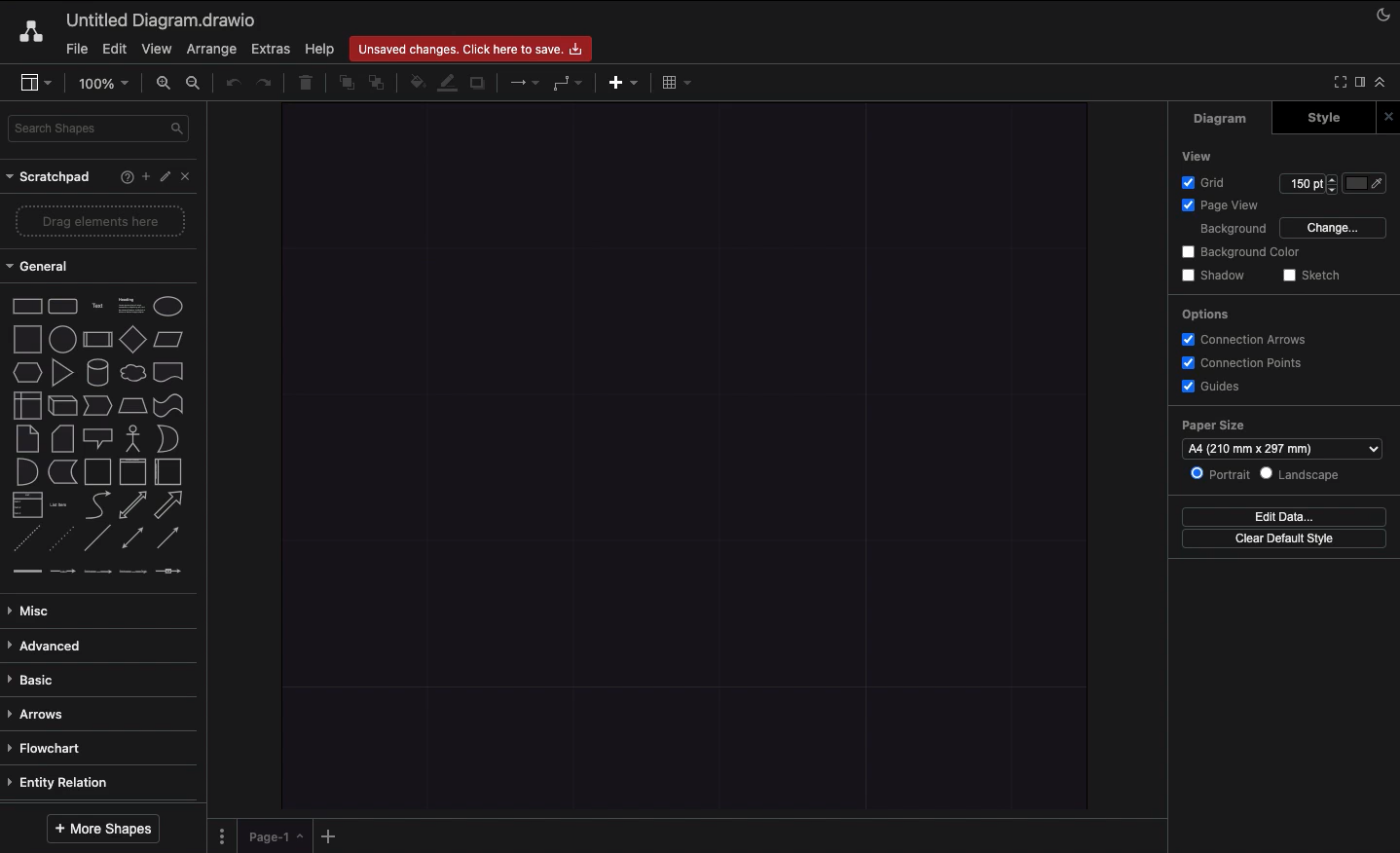  What do you see at coordinates (210, 48) in the screenshot?
I see `Arrange` at bounding box center [210, 48].